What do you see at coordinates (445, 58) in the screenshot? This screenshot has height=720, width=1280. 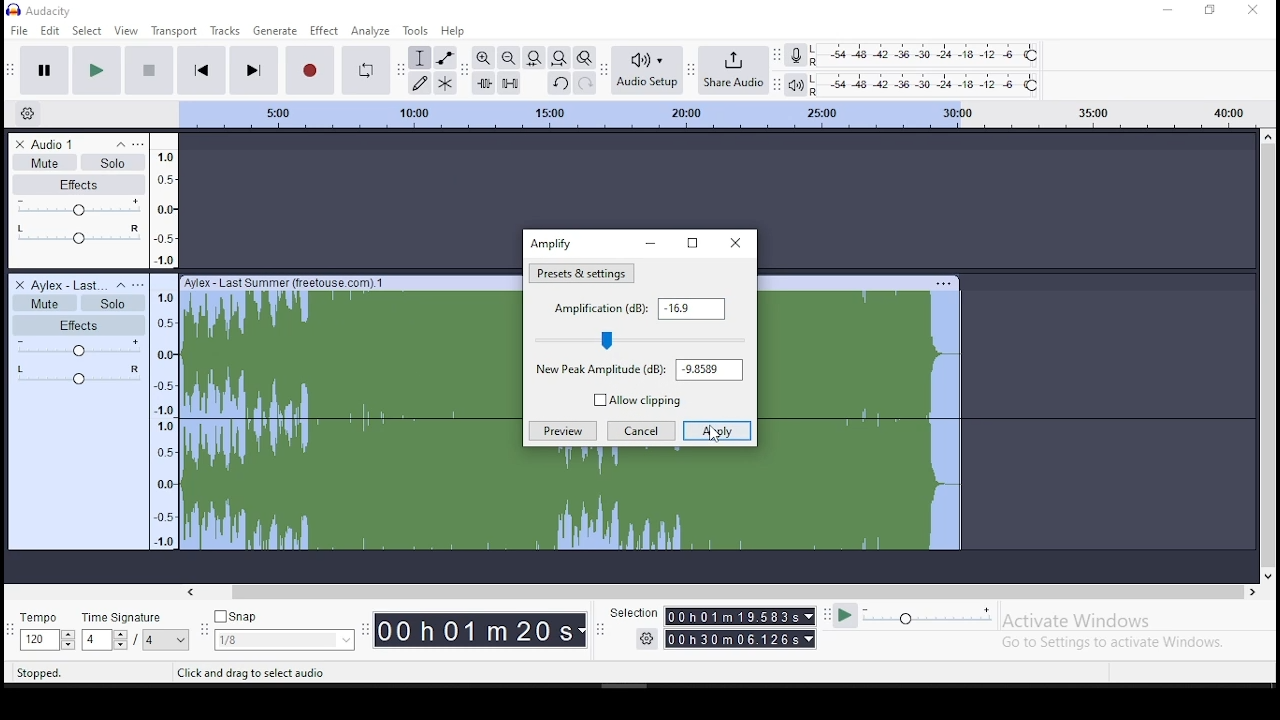 I see `envelope tool` at bounding box center [445, 58].